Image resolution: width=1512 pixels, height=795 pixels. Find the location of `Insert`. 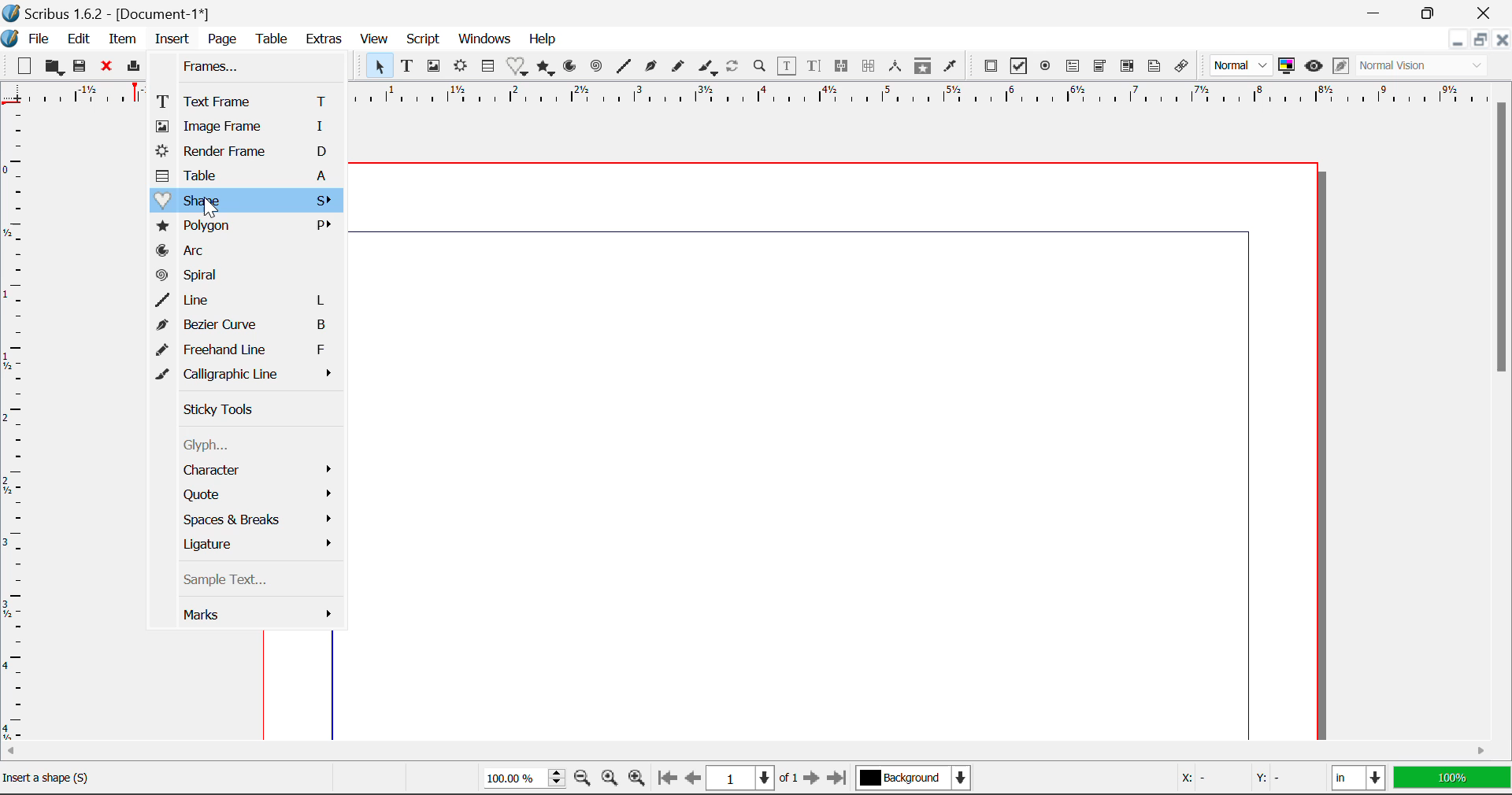

Insert is located at coordinates (170, 39).